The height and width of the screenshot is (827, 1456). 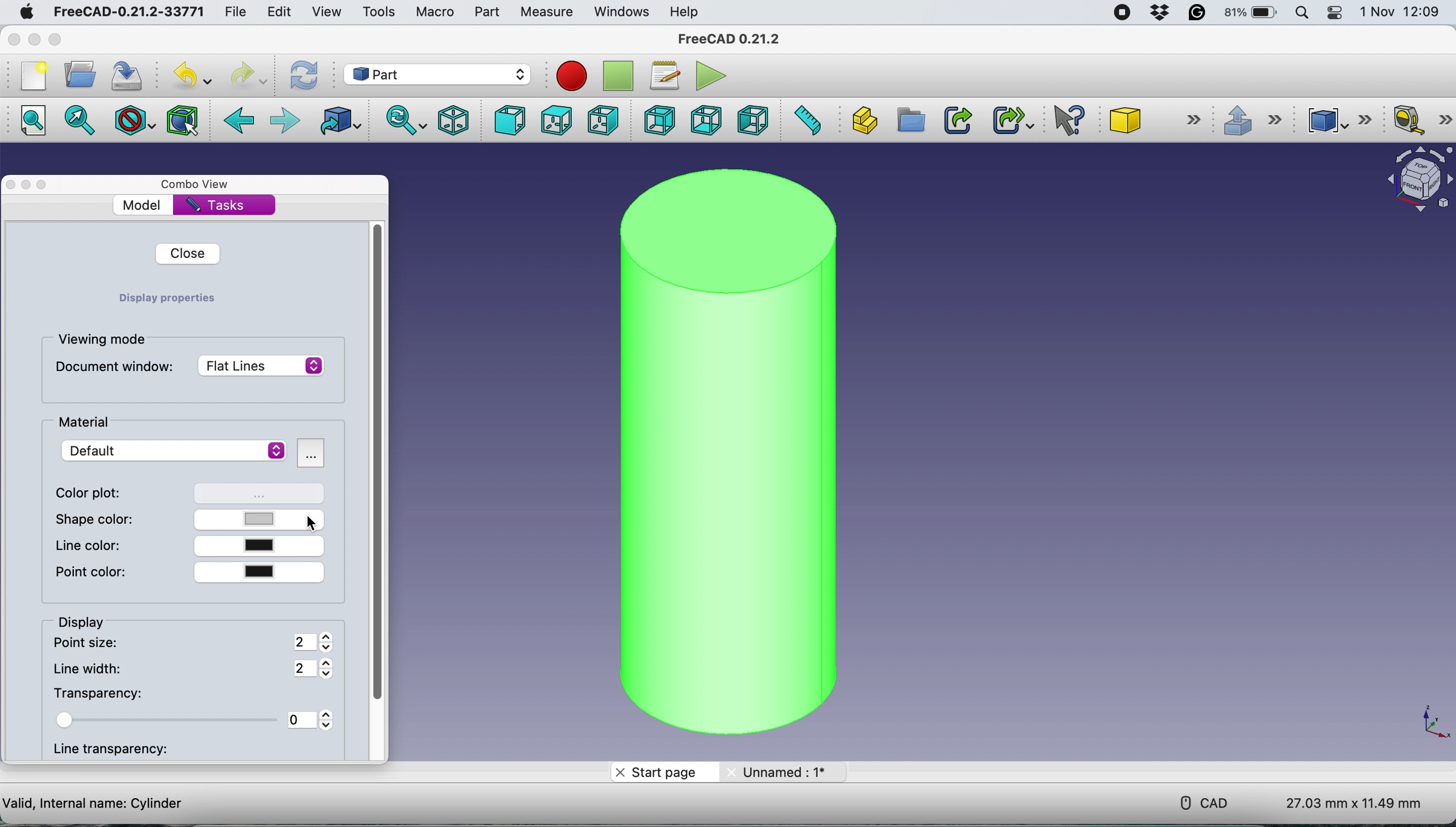 I want to click on bounding box, so click(x=182, y=120).